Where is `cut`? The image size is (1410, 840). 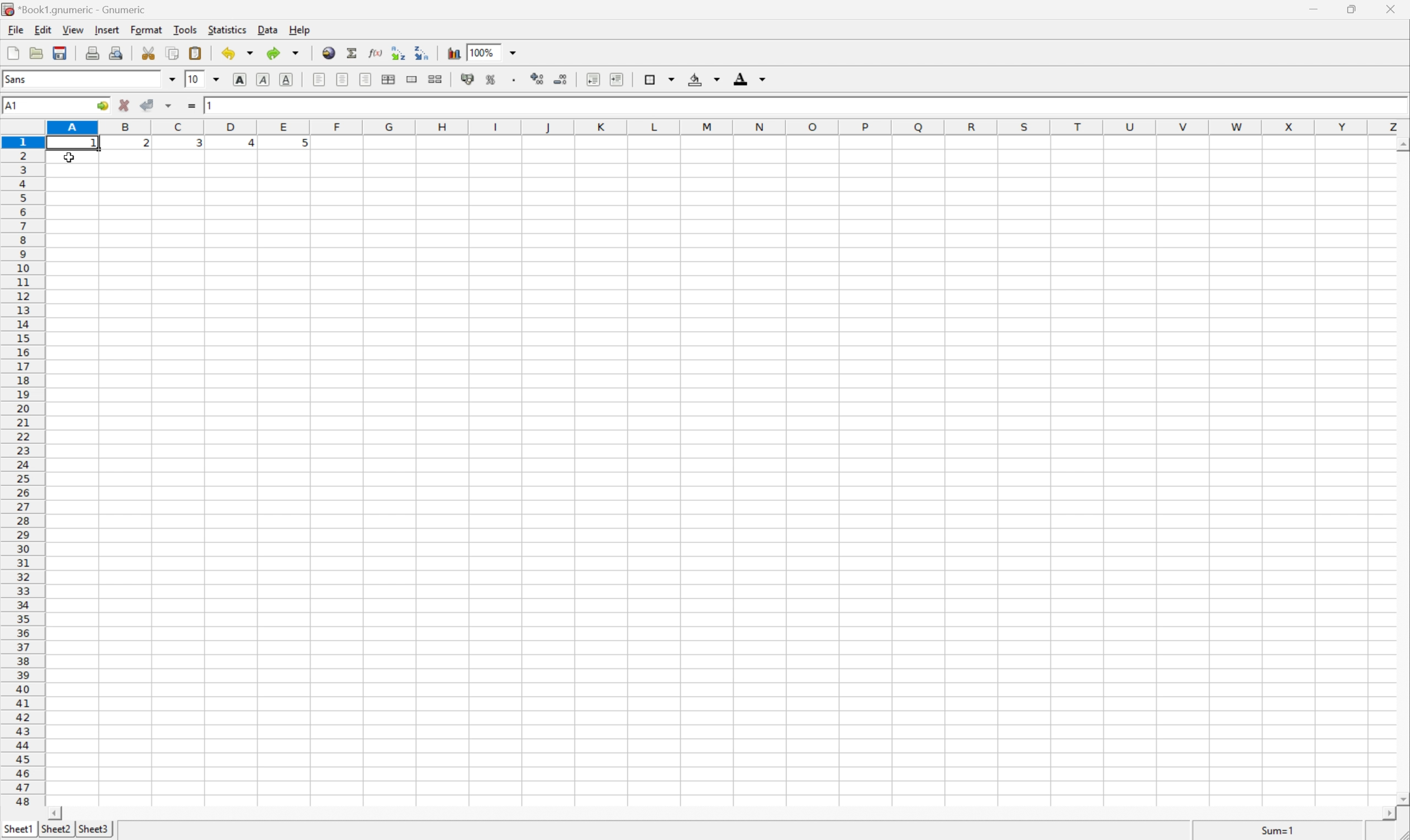
cut is located at coordinates (147, 52).